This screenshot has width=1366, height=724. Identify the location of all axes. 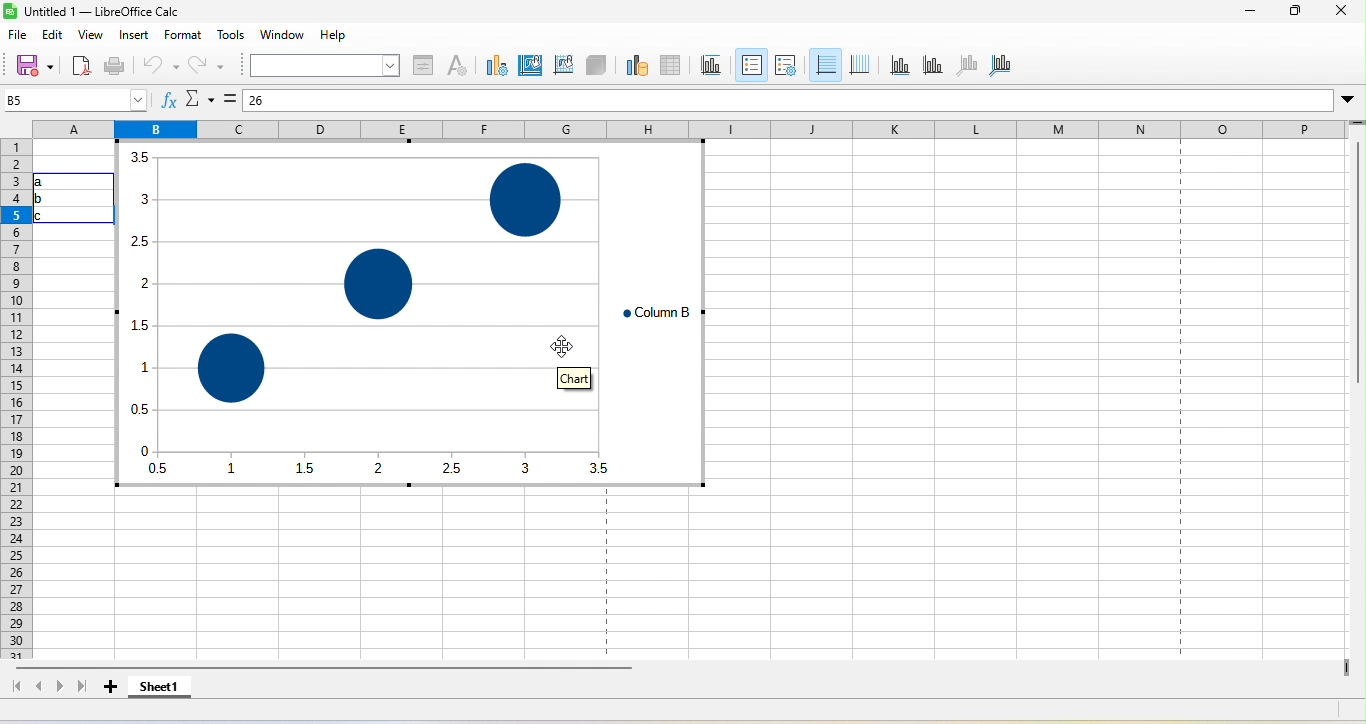
(1001, 65).